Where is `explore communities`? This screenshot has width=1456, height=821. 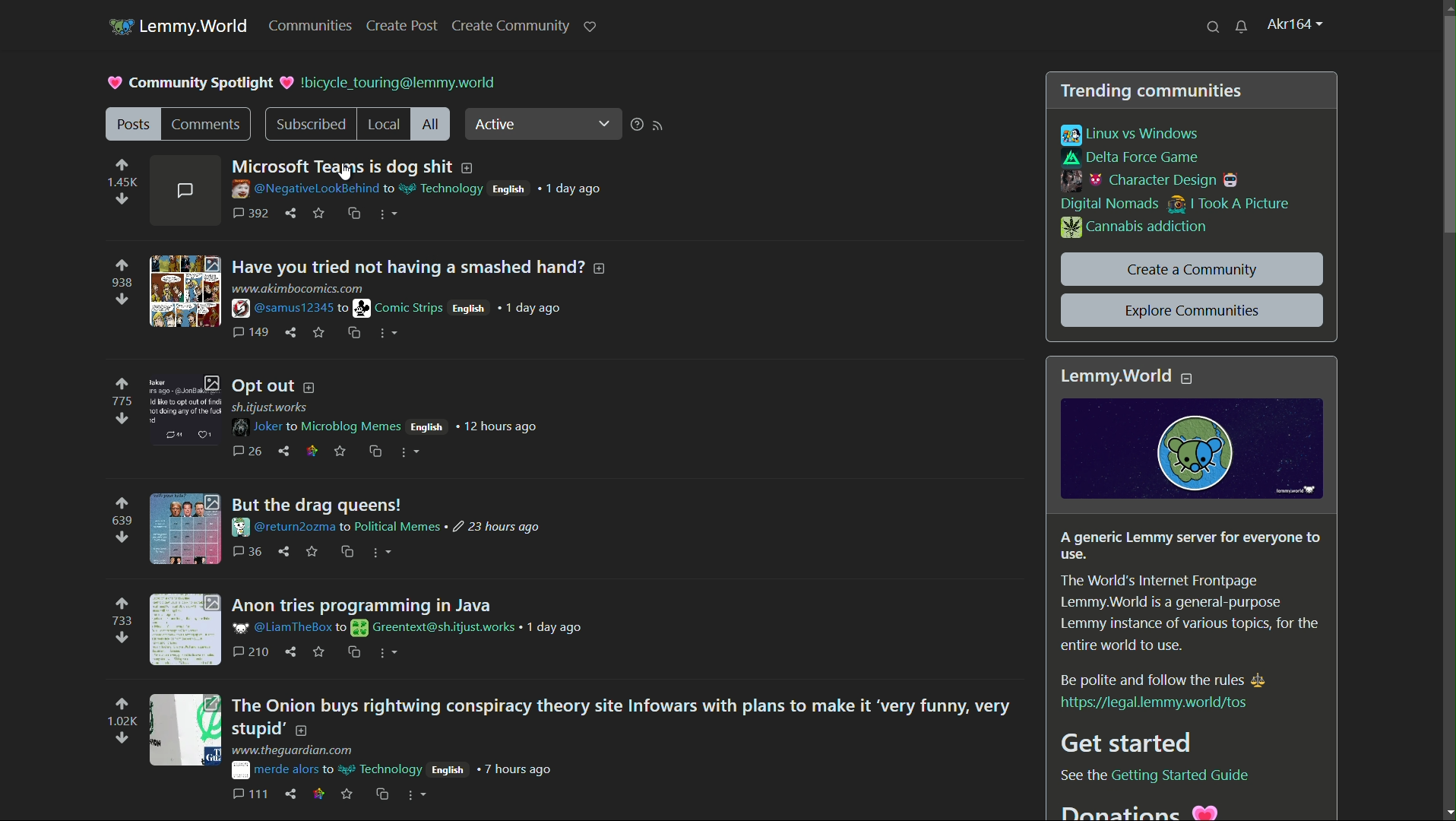 explore communities is located at coordinates (1191, 310).